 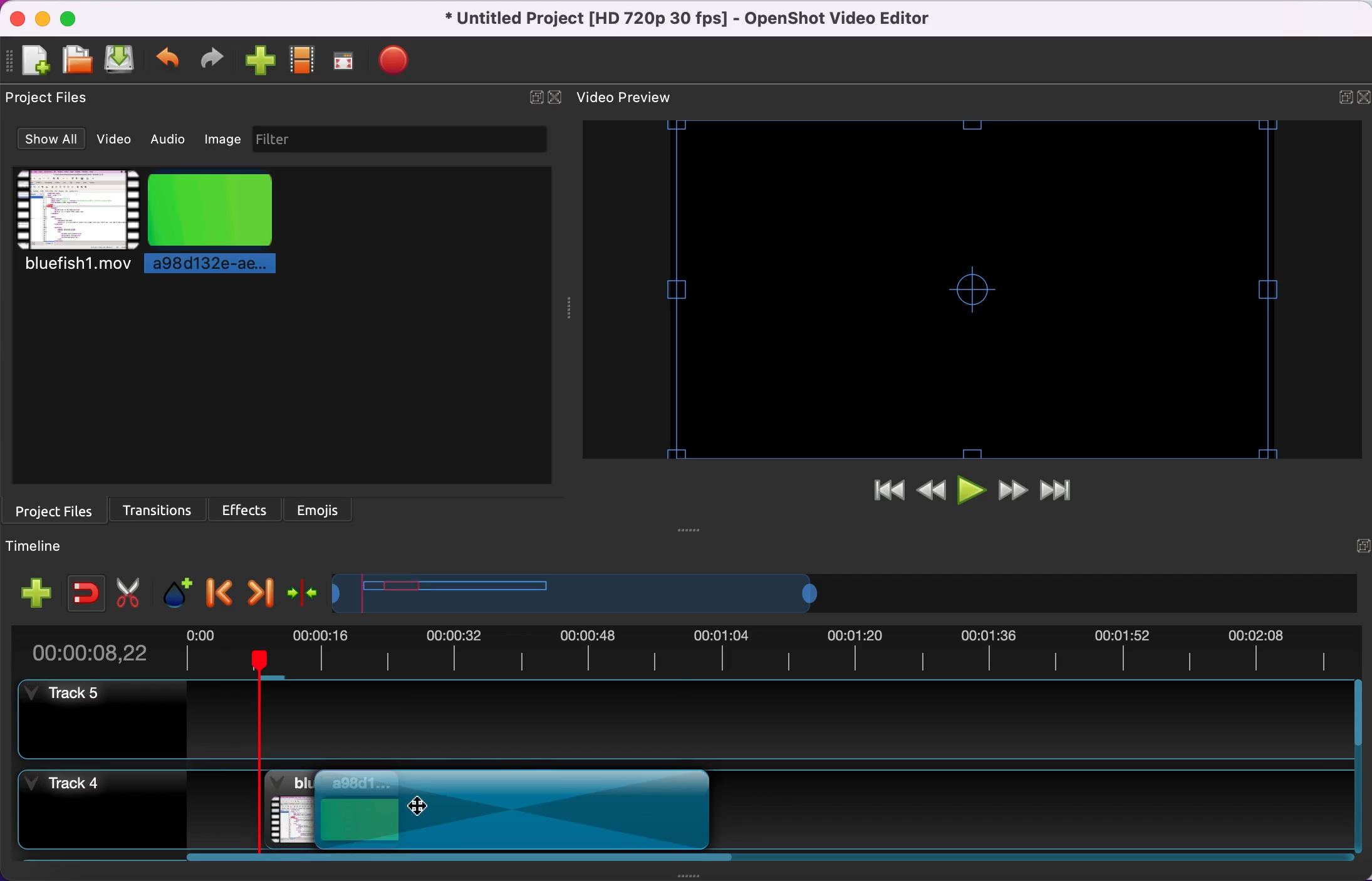 I want to click on timeline, so click(x=721, y=592).